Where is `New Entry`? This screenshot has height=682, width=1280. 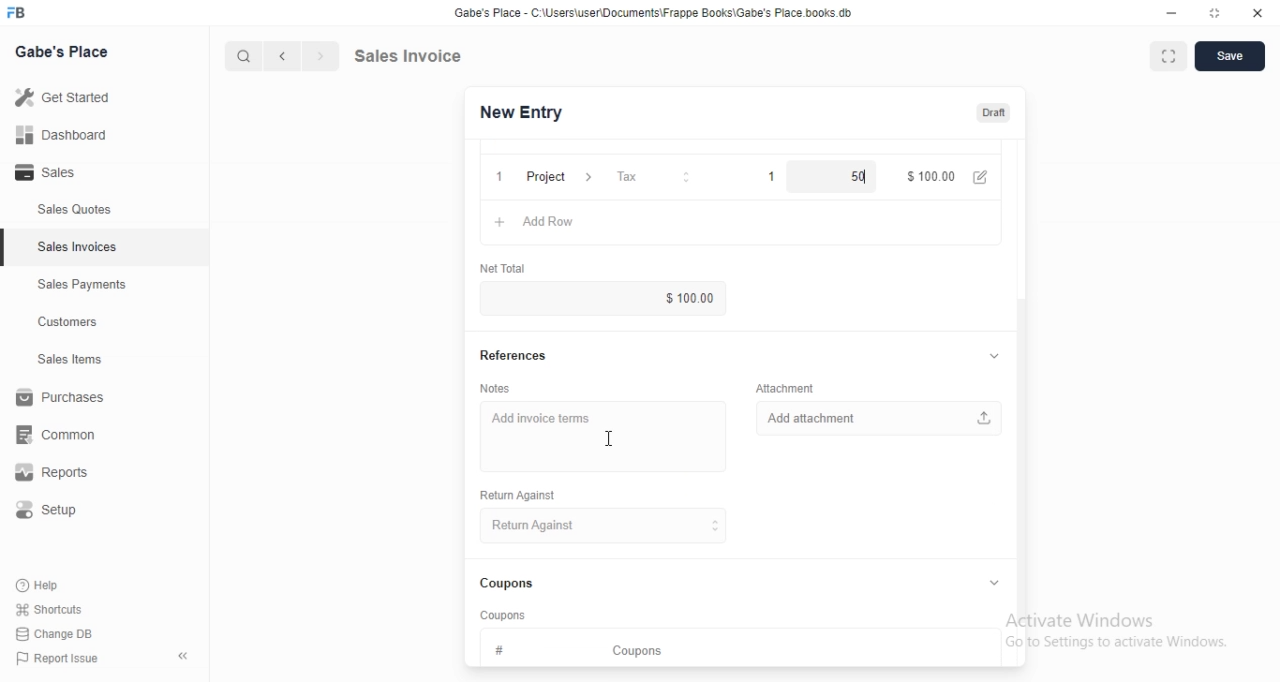 New Entry is located at coordinates (528, 112).